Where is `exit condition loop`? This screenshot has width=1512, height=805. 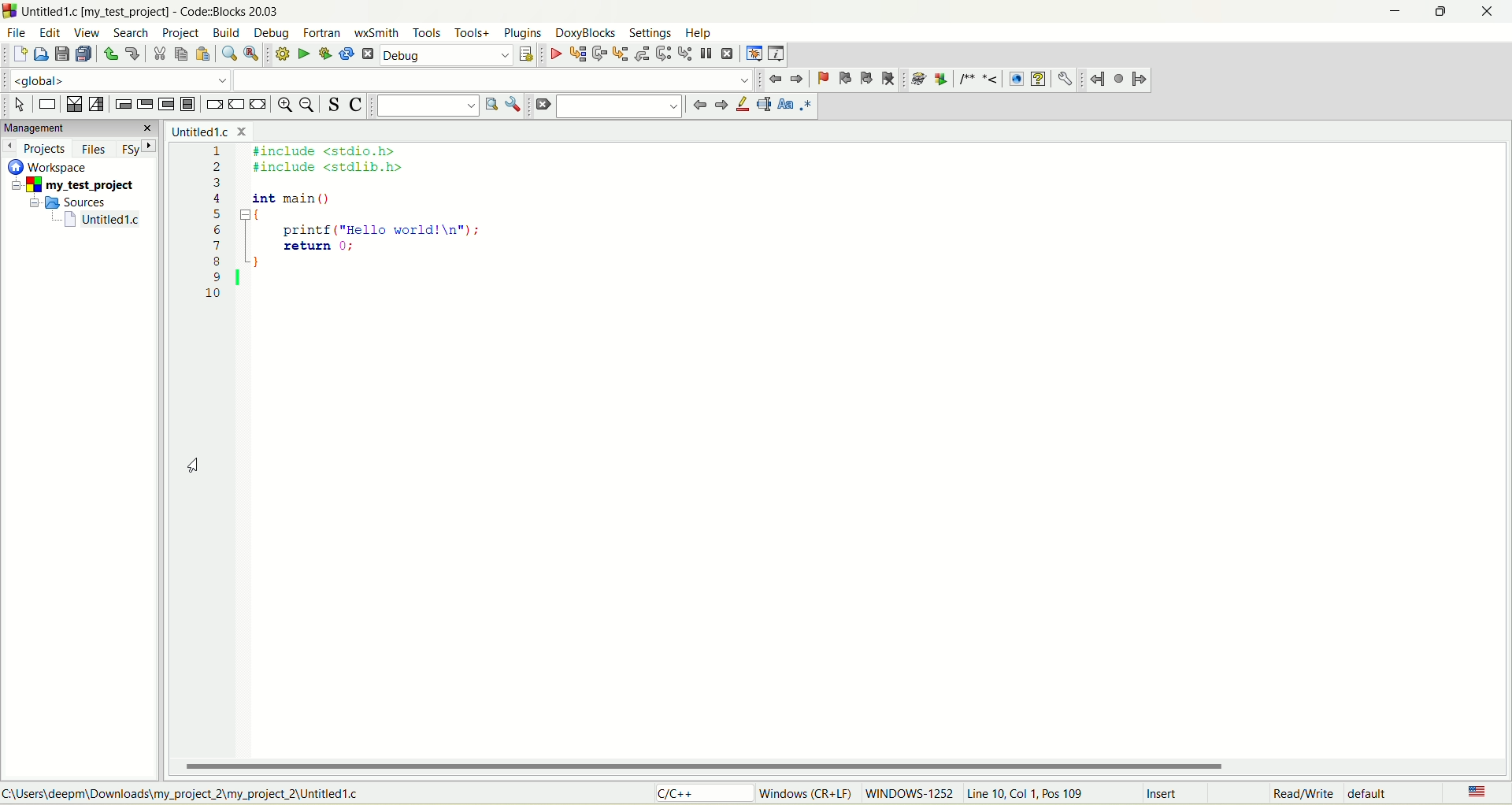
exit condition loop is located at coordinates (145, 103).